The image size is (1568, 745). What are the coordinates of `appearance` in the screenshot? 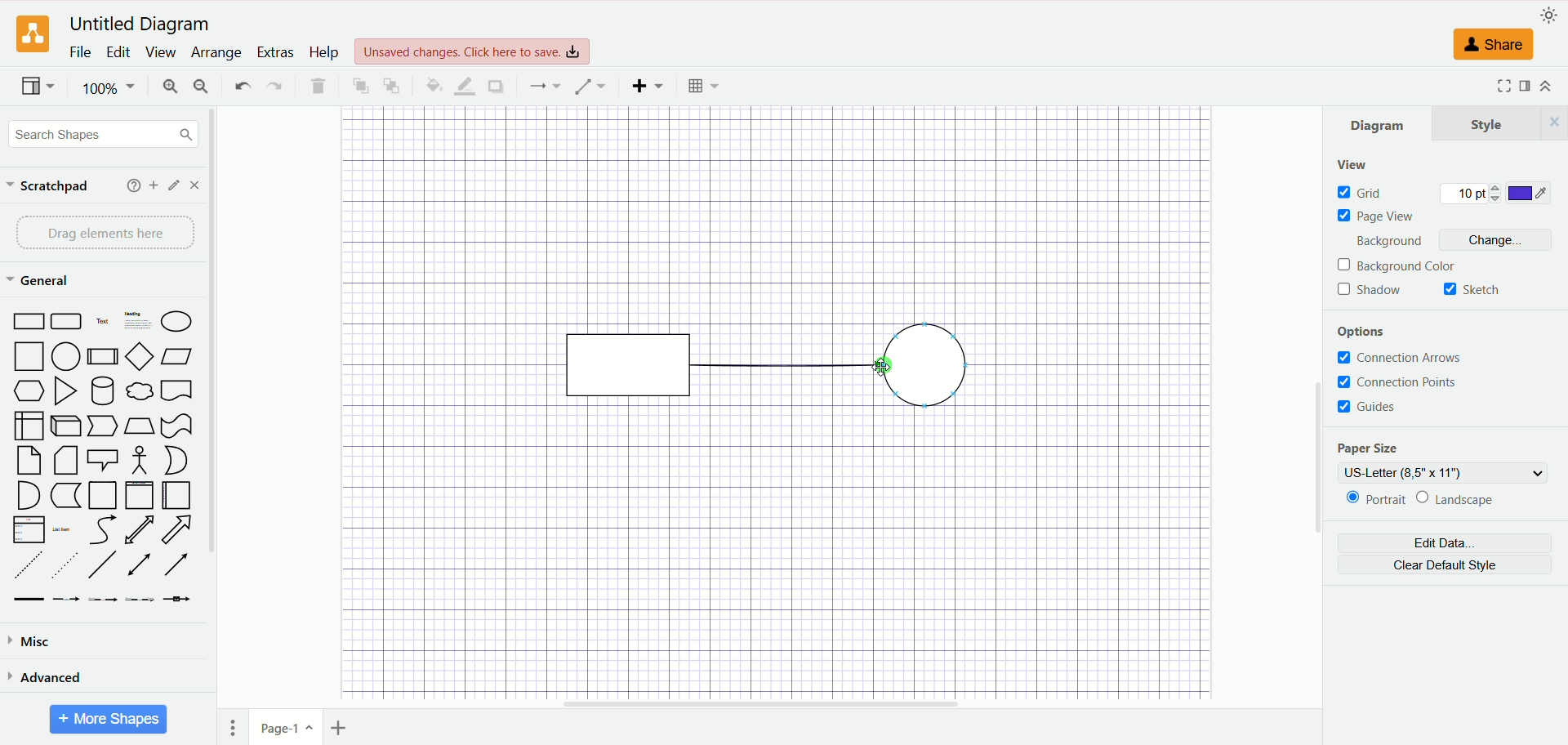 It's located at (1546, 15).